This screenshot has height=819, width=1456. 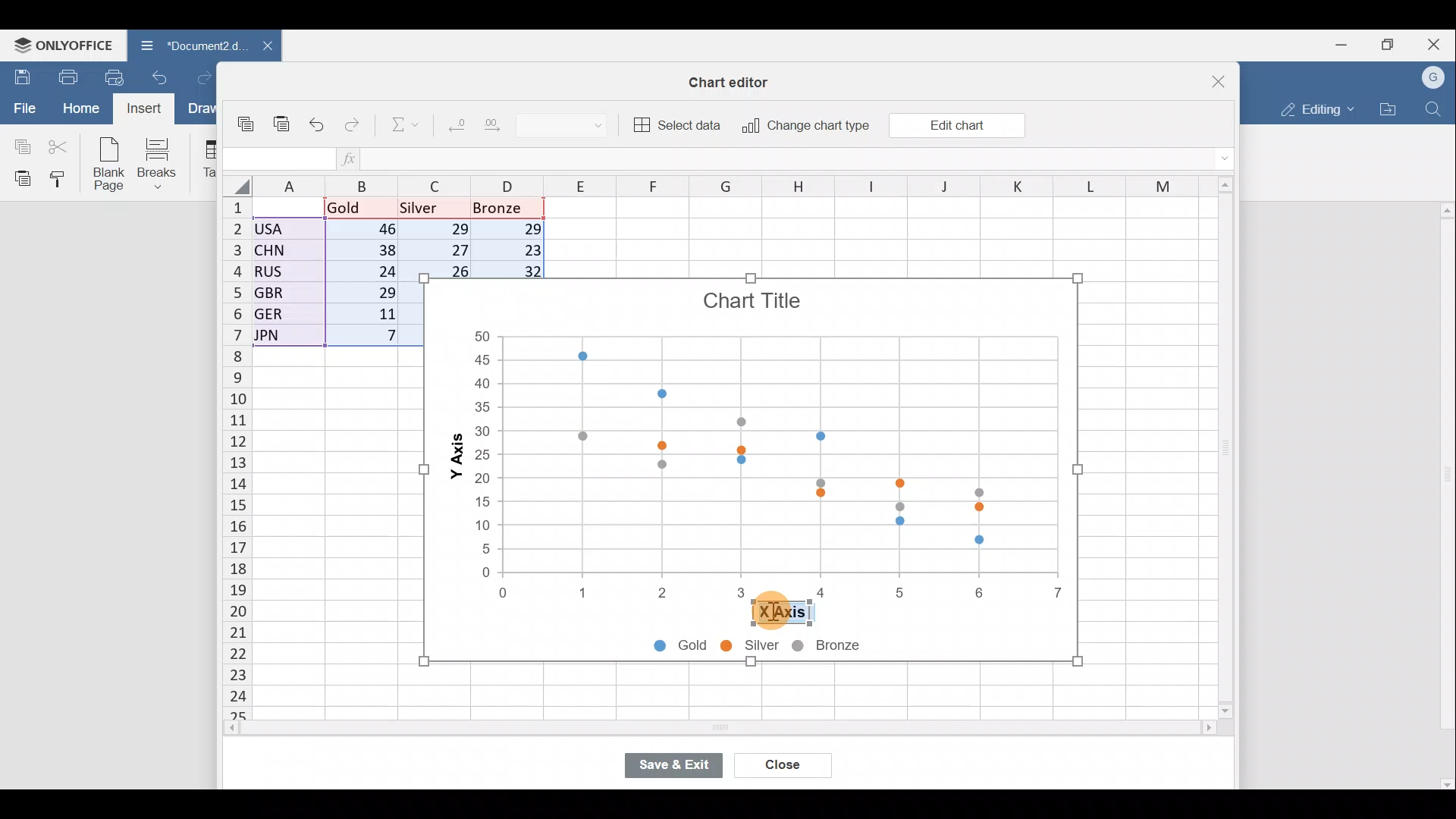 What do you see at coordinates (19, 145) in the screenshot?
I see `Copy` at bounding box center [19, 145].